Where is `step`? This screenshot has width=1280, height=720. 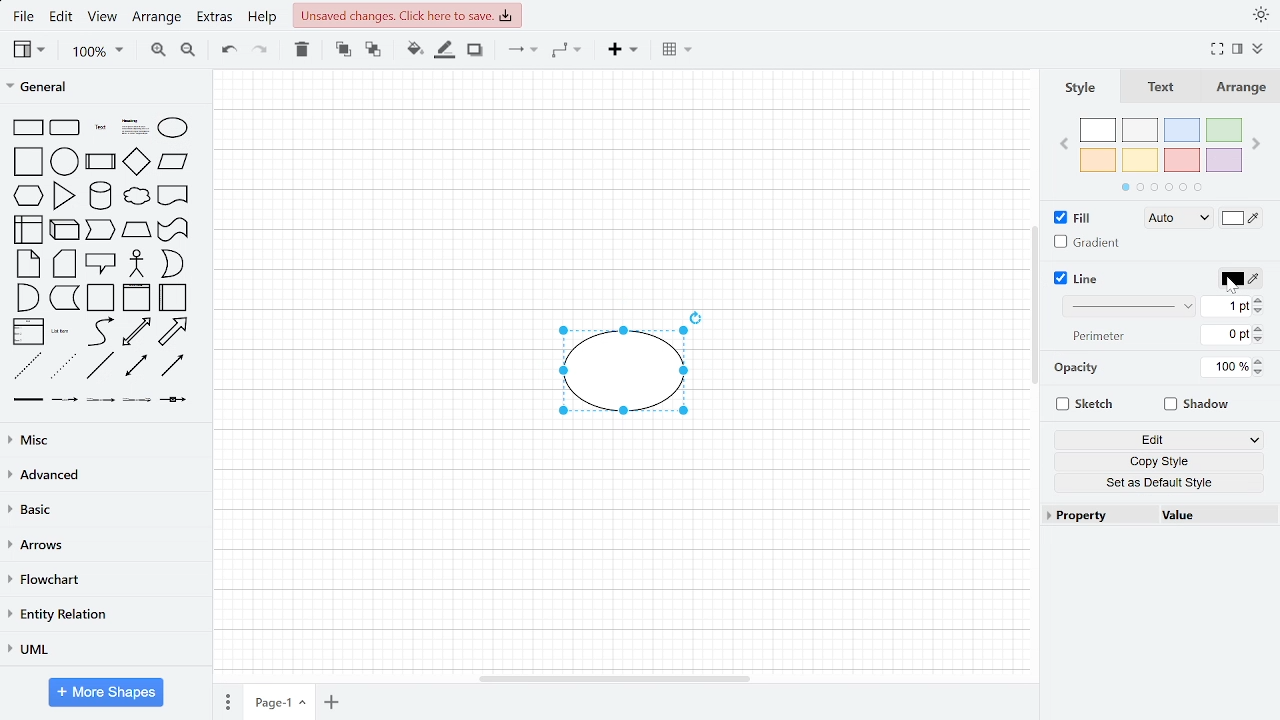 step is located at coordinates (101, 230).